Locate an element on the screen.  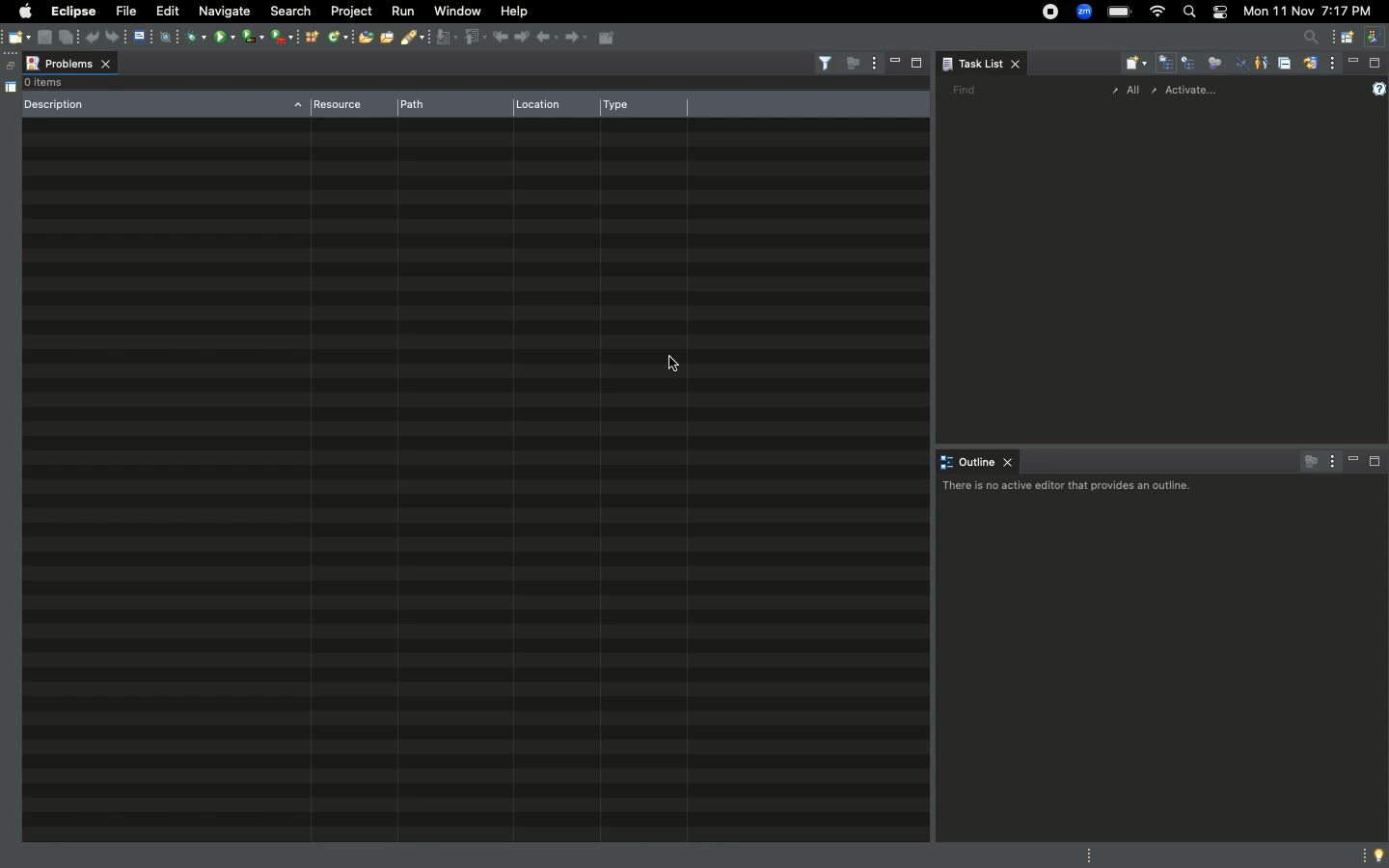
Resource is located at coordinates (344, 105).